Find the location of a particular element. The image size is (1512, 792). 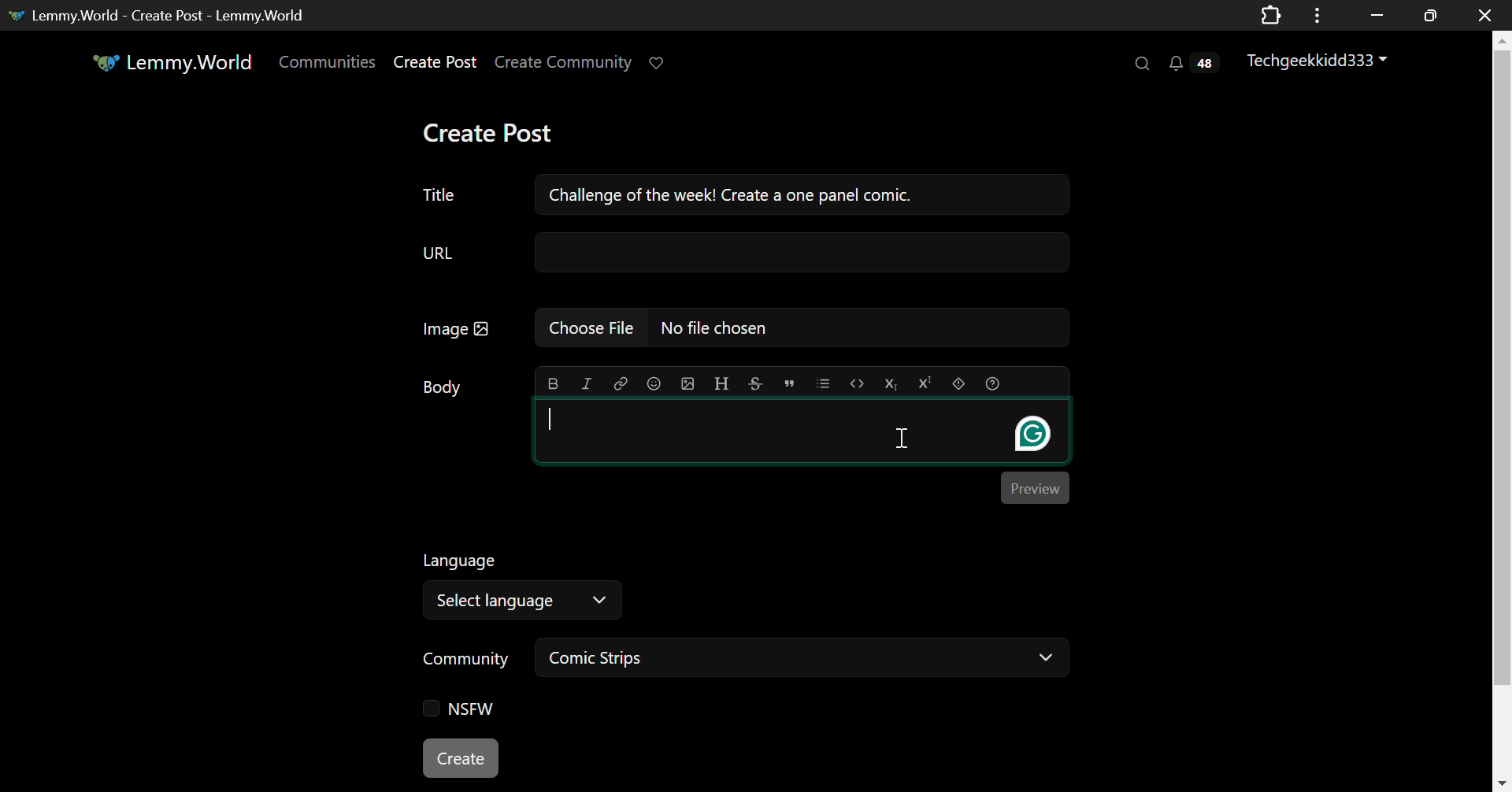

quote is located at coordinates (789, 383).